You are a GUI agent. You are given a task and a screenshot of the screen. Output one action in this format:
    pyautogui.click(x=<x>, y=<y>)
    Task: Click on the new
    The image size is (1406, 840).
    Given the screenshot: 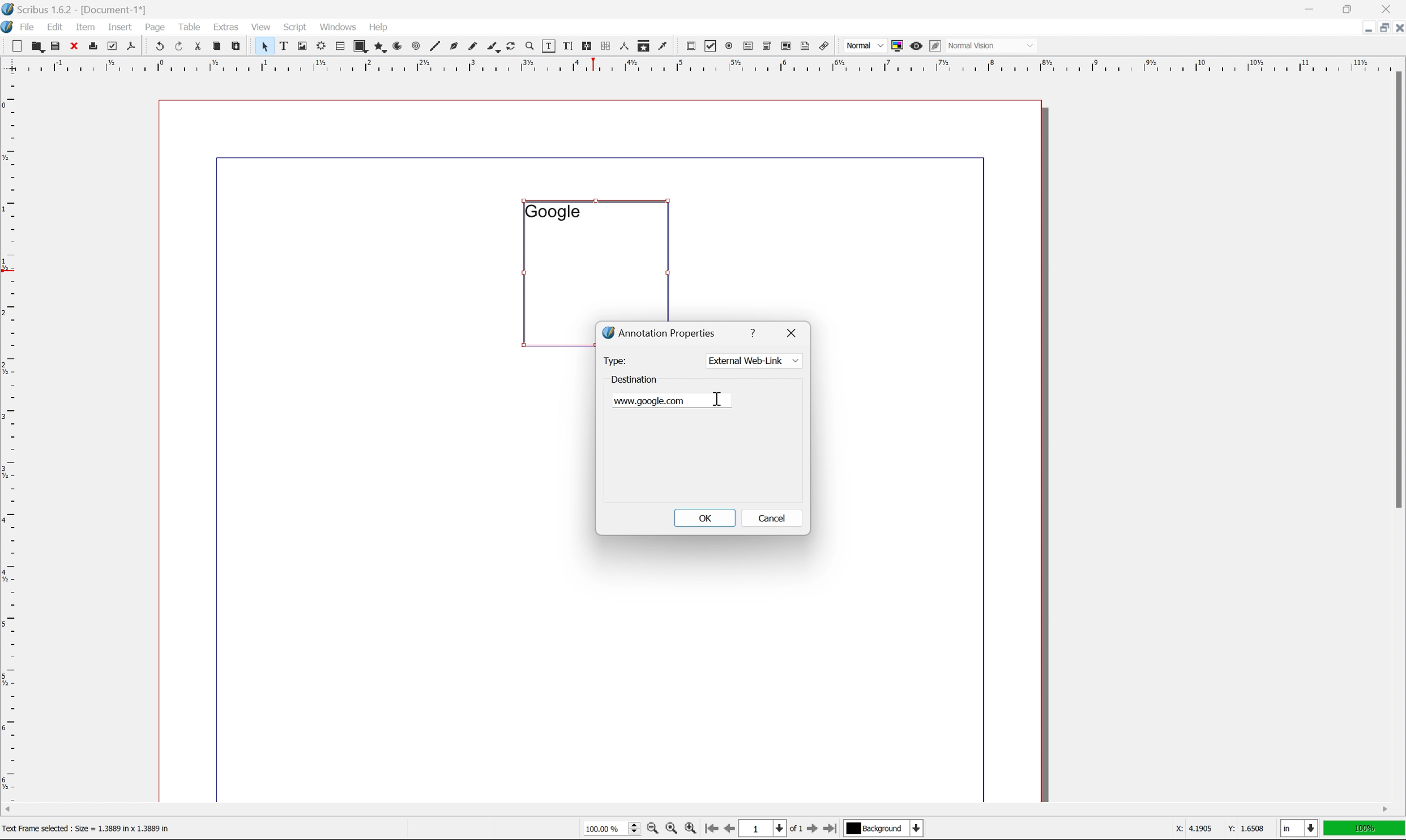 What is the action you would take?
    pyautogui.click(x=18, y=46)
    